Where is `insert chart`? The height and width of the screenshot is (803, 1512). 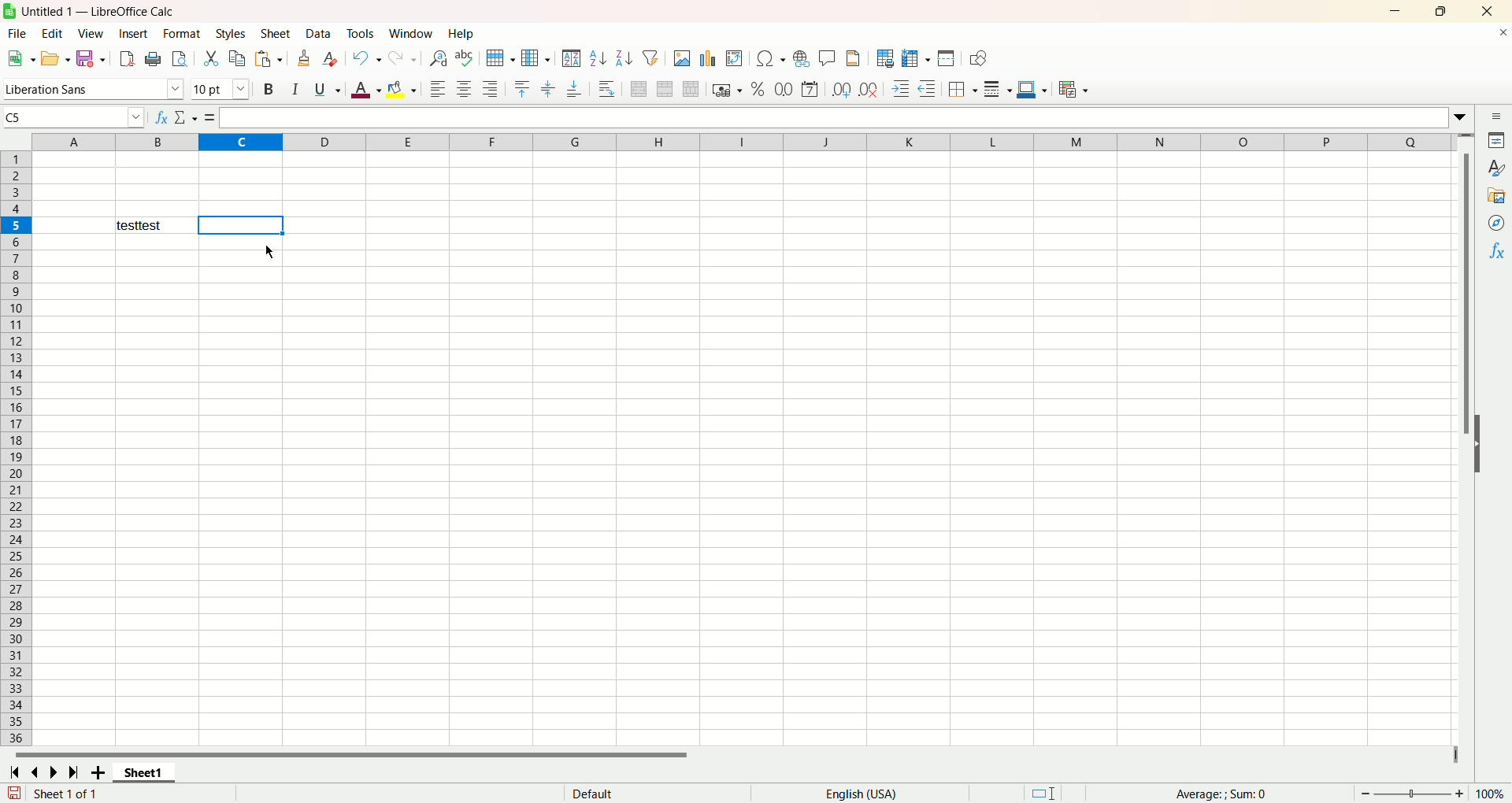
insert chart is located at coordinates (711, 57).